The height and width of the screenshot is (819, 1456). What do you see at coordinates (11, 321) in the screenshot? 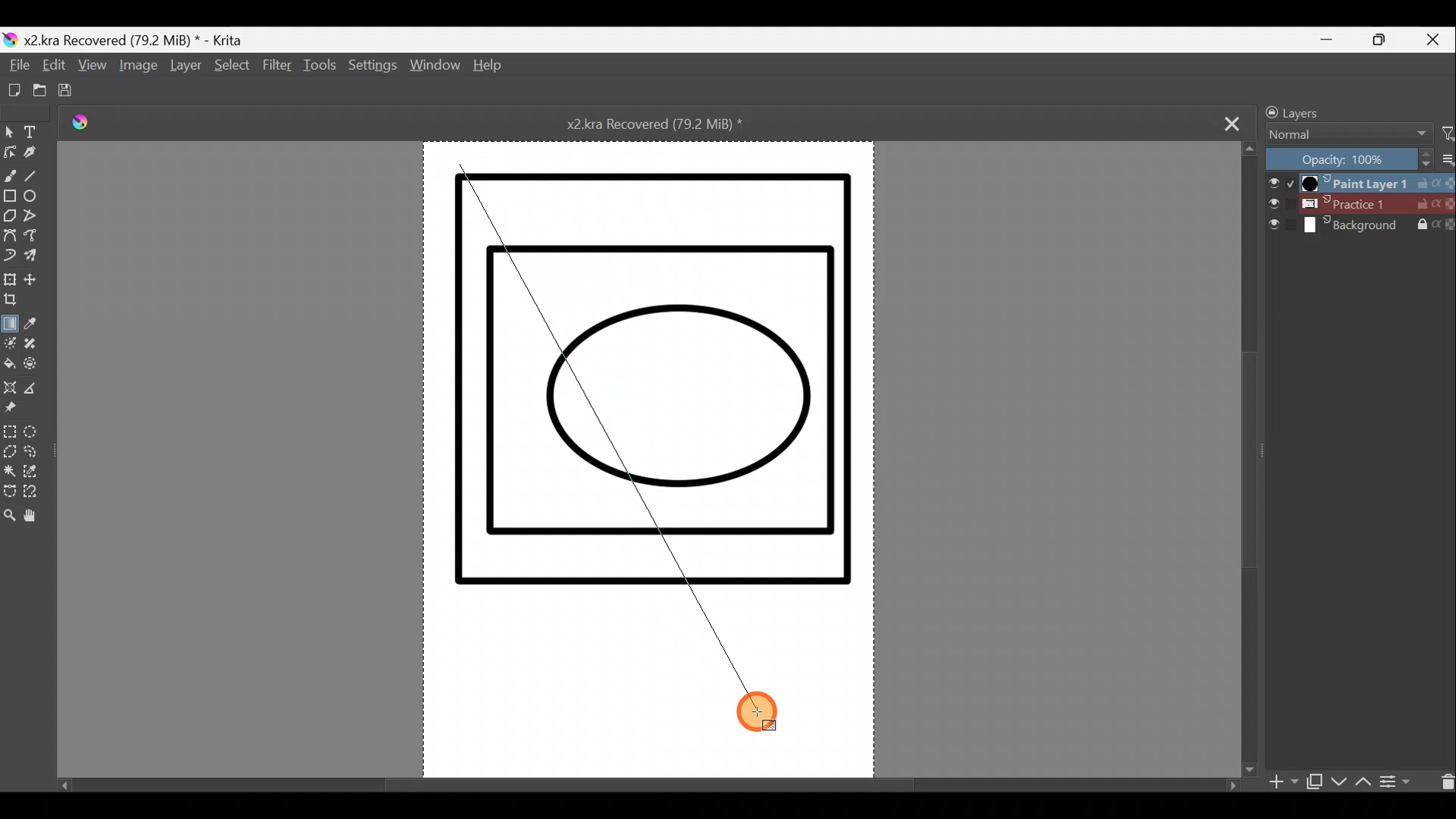
I see `Draw a gradient` at bounding box center [11, 321].